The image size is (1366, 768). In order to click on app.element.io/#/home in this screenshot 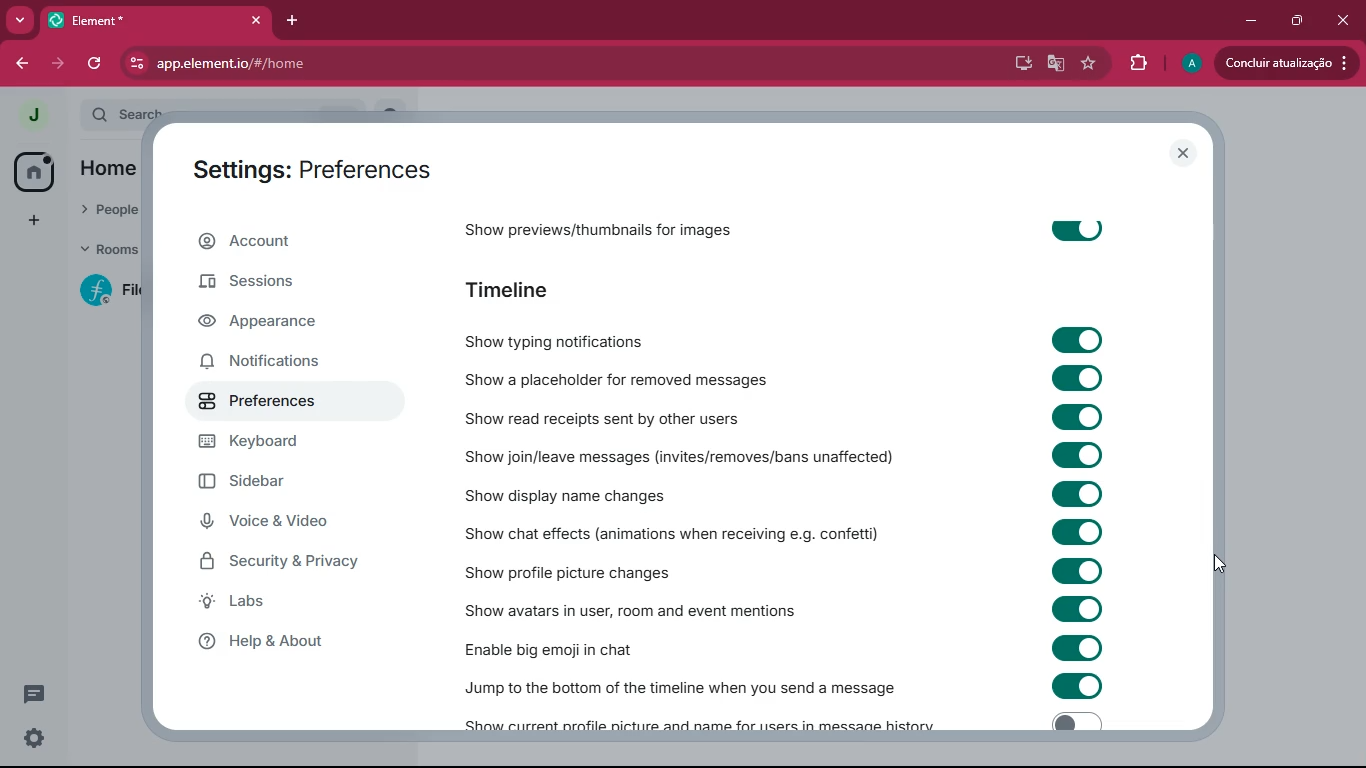, I will do `click(324, 63)`.